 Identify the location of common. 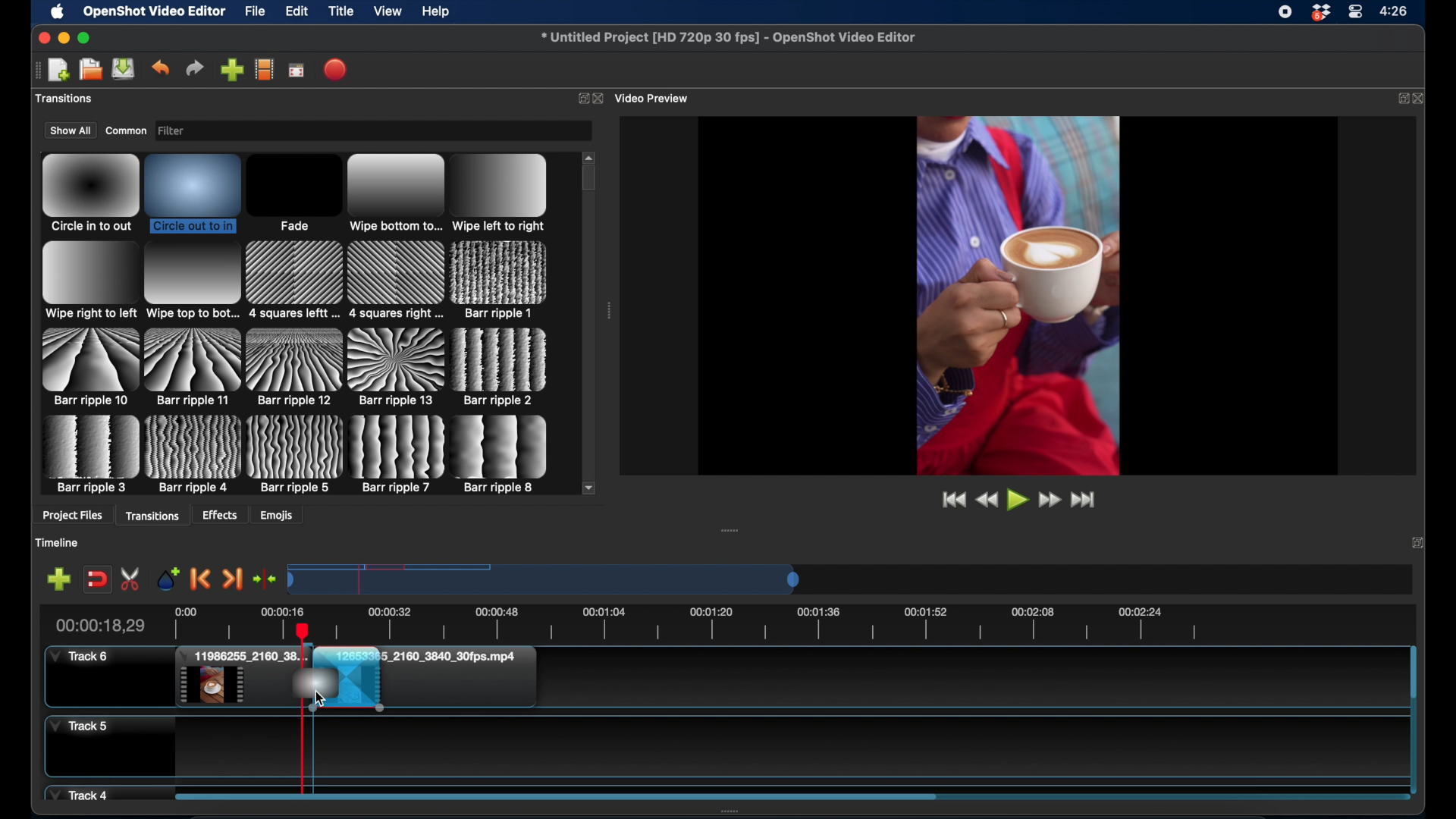
(126, 130).